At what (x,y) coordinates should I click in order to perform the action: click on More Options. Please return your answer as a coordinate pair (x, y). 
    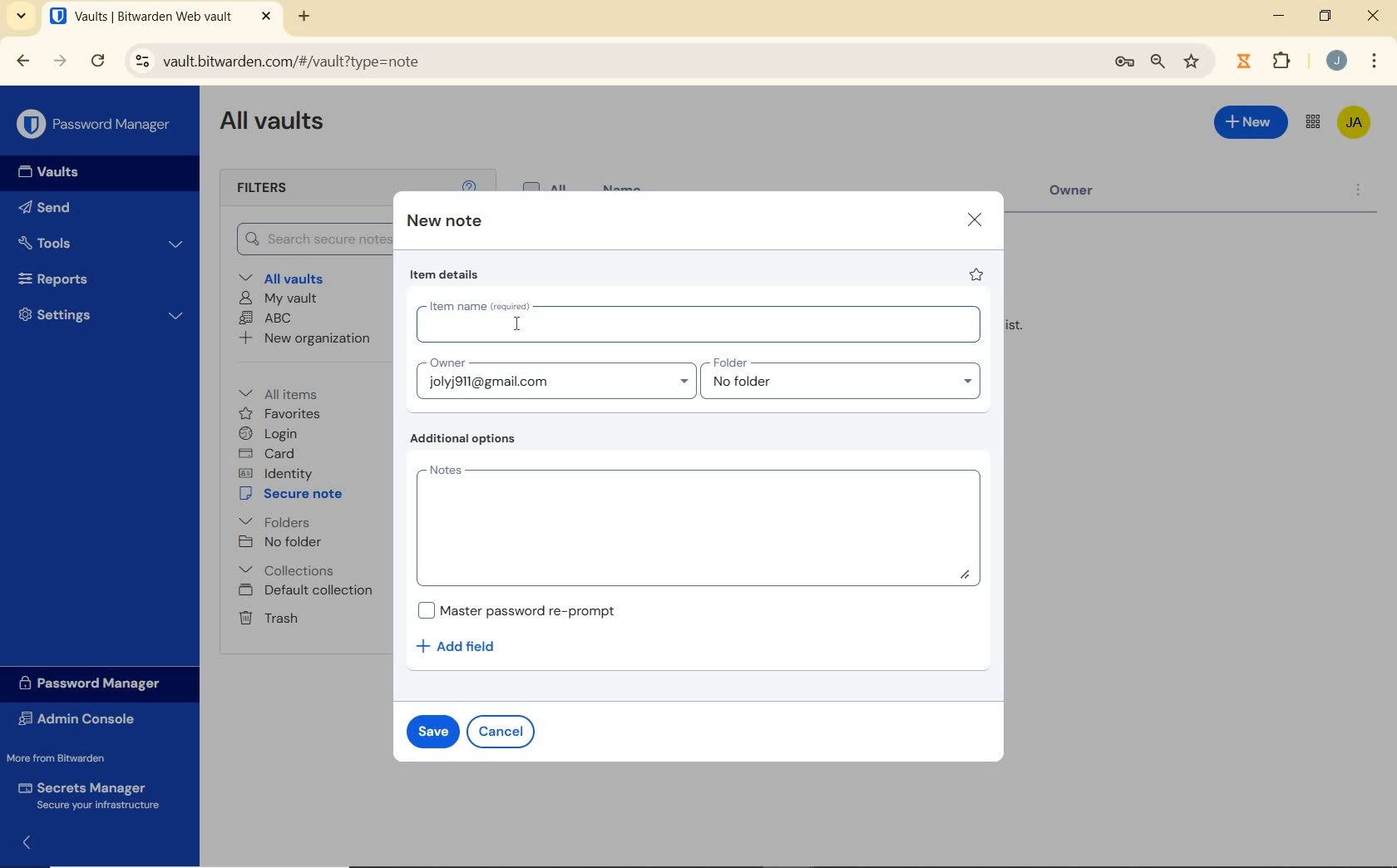
    Looking at the image, I should click on (1374, 62).